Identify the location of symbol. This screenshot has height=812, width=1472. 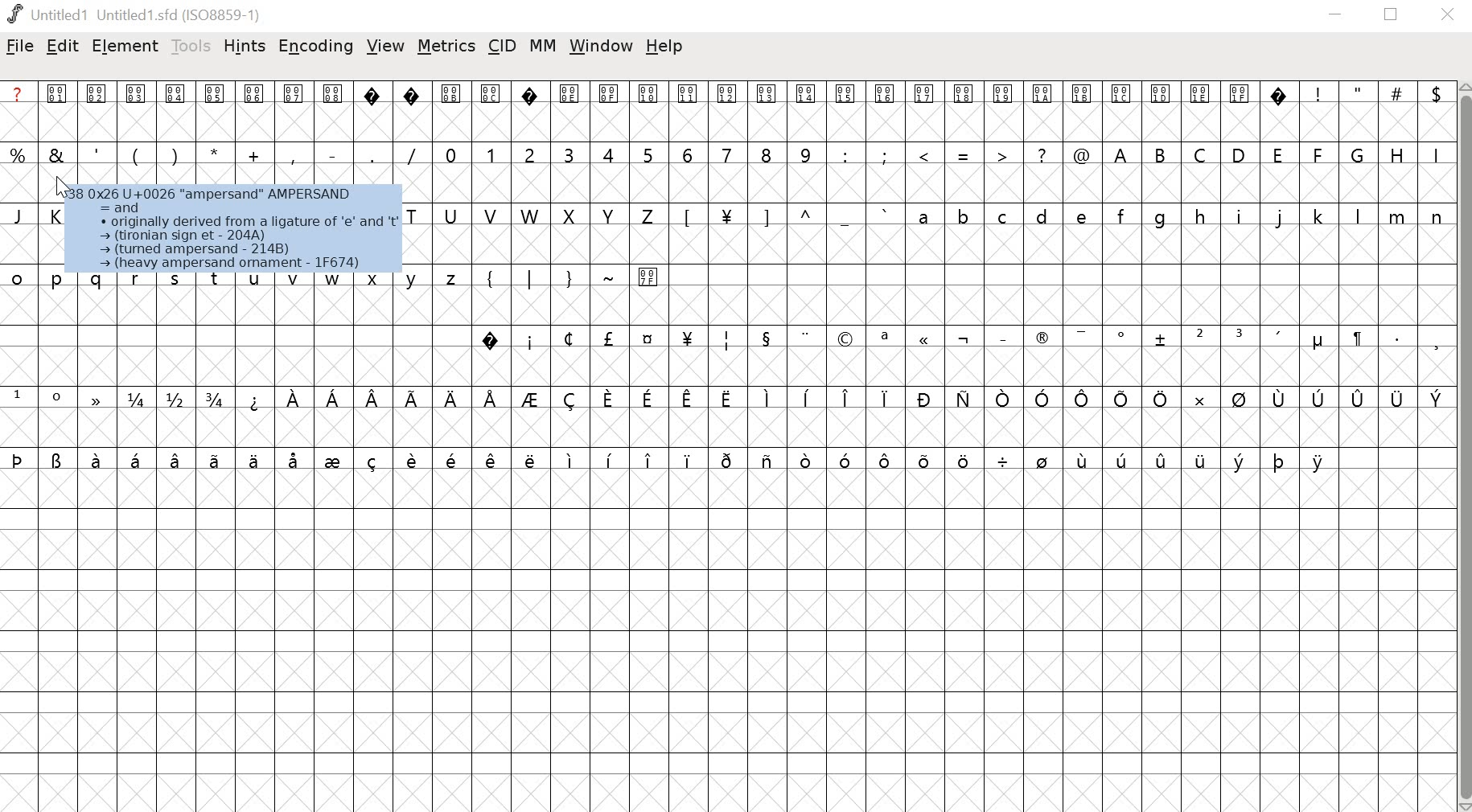
(730, 398).